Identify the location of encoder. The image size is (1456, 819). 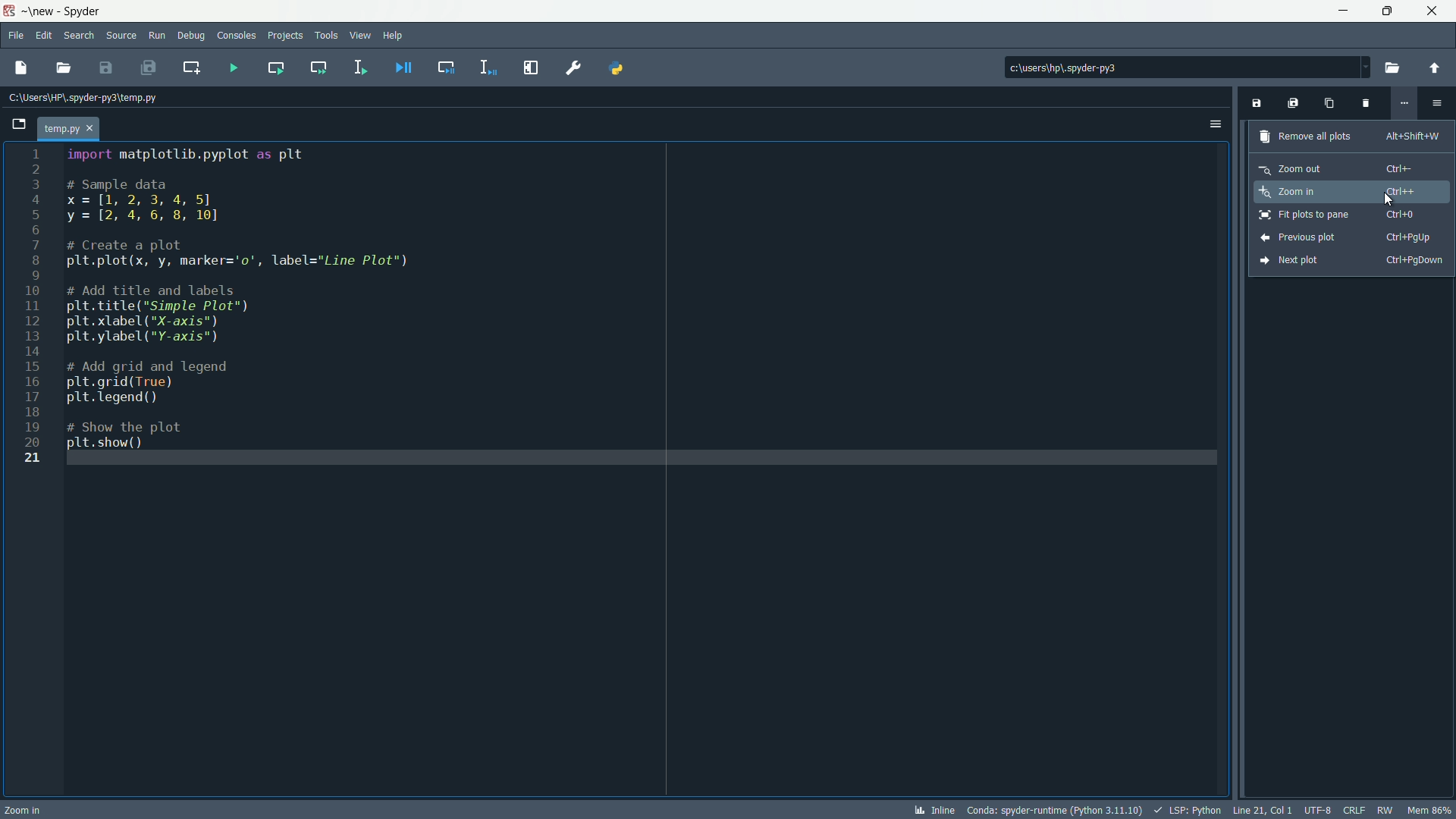
(1318, 810).